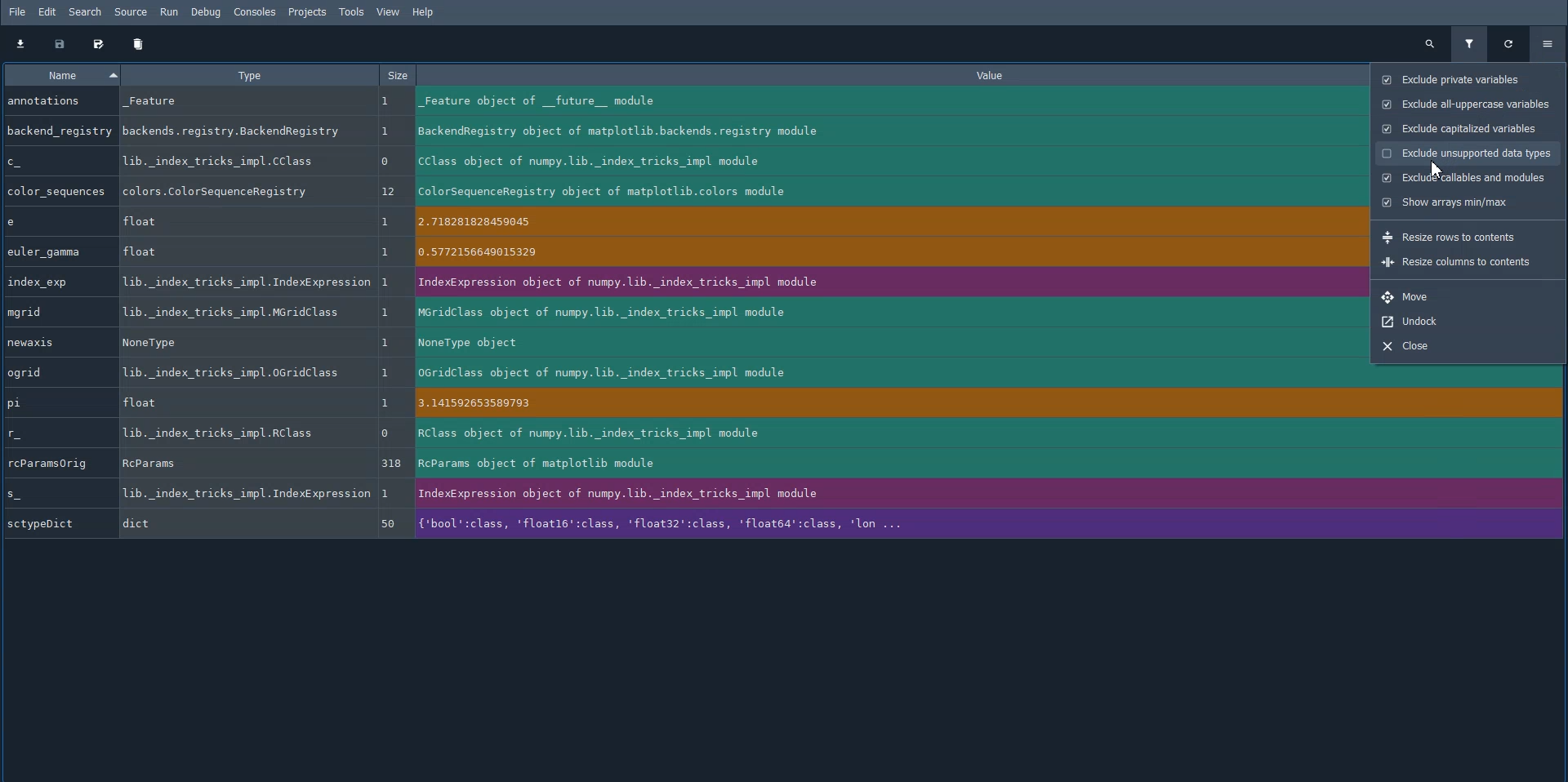  What do you see at coordinates (881, 282) in the screenshot?
I see `IndexExpression object of numpy.lib._index_tricks_impl module` at bounding box center [881, 282].